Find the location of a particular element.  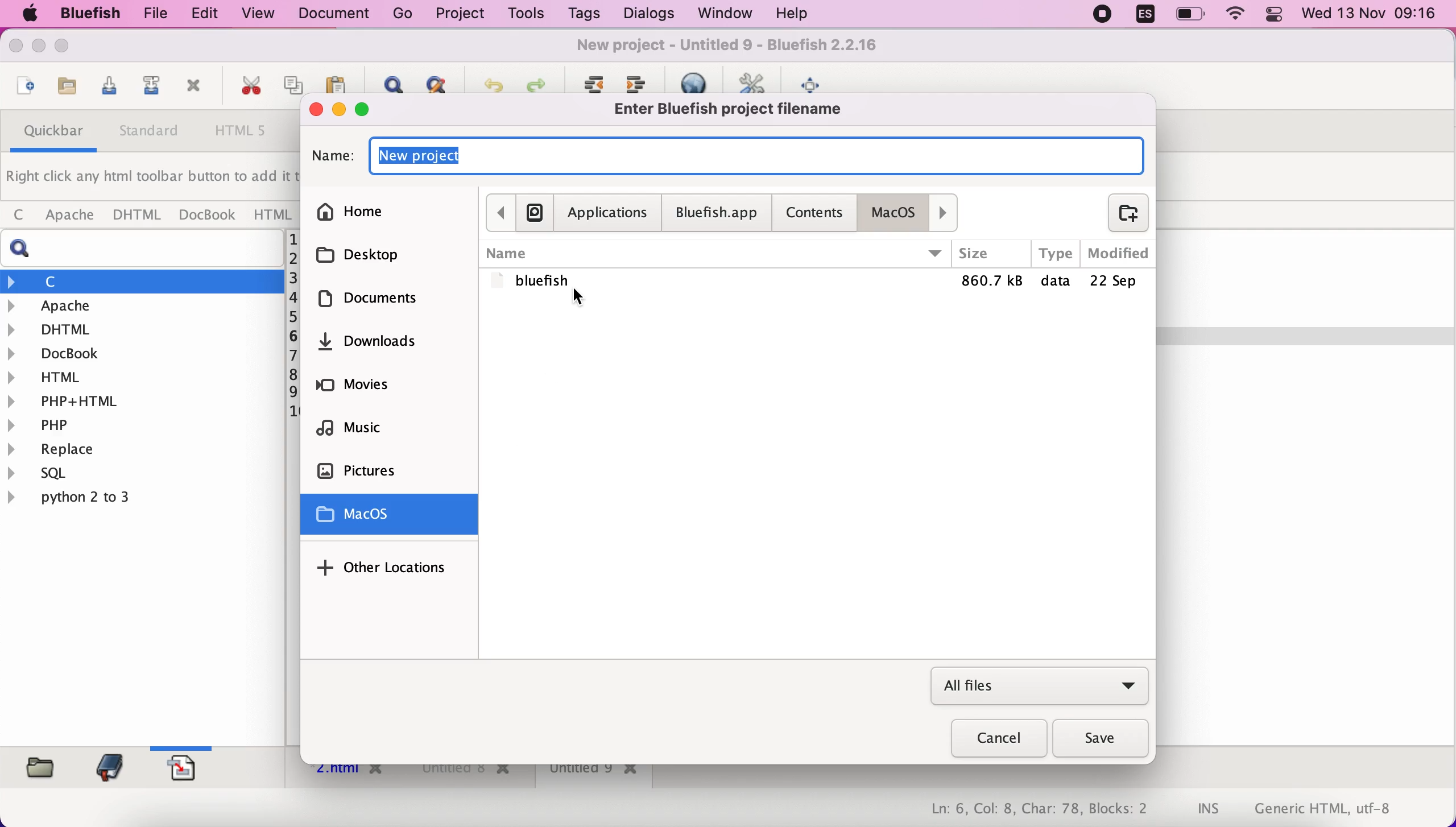

save current file is located at coordinates (106, 89).